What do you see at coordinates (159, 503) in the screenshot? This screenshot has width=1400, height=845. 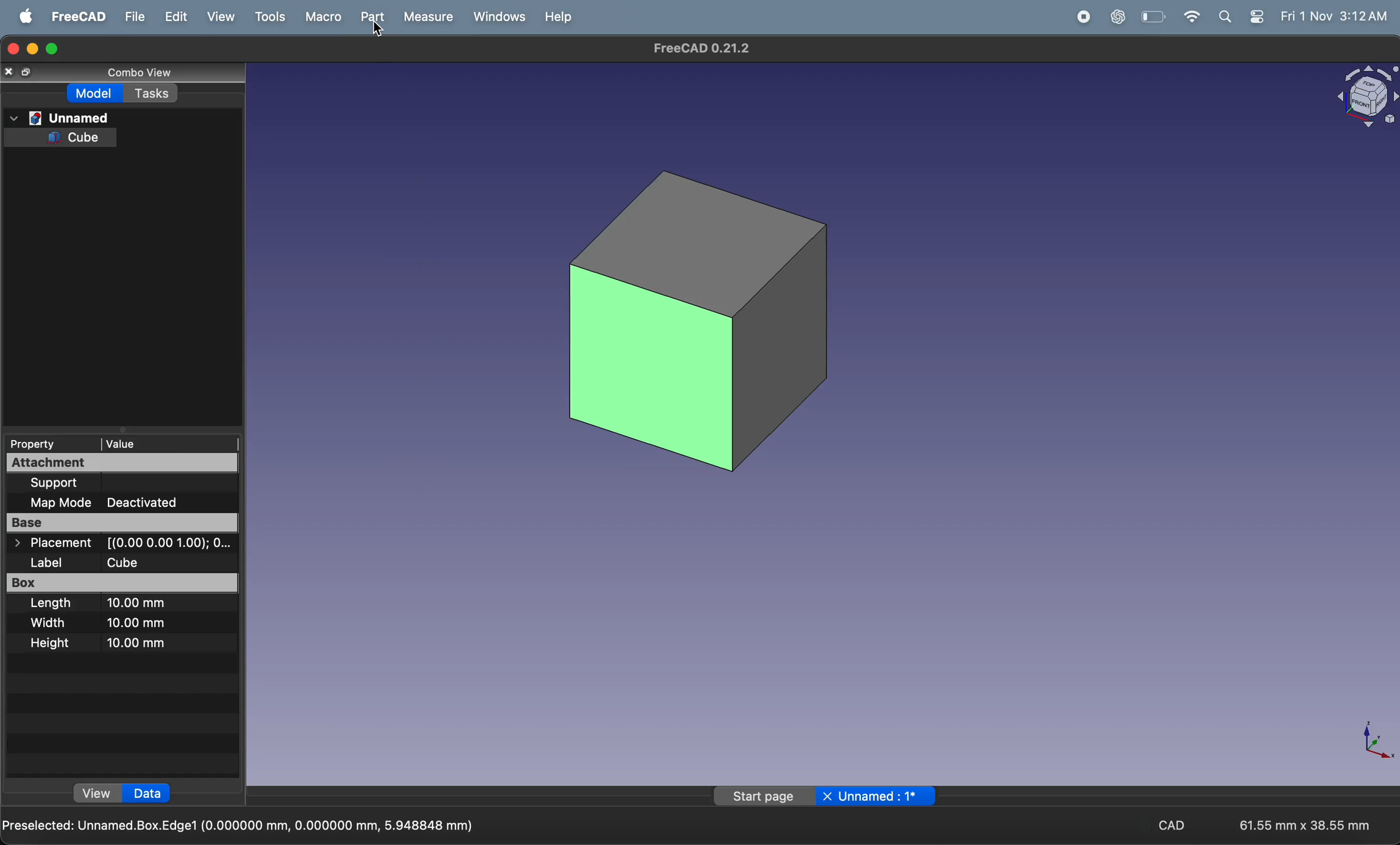 I see `Deactivated` at bounding box center [159, 503].